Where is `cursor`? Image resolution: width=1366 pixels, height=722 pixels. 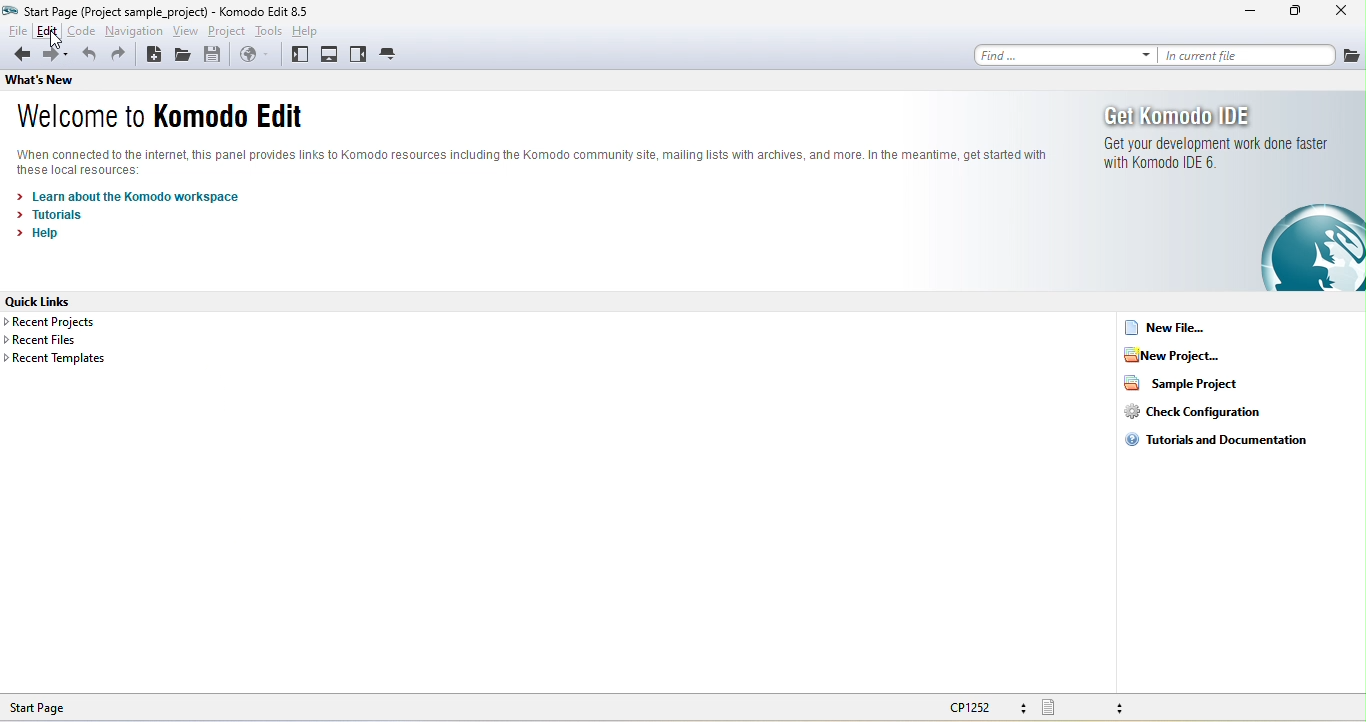 cursor is located at coordinates (57, 42).